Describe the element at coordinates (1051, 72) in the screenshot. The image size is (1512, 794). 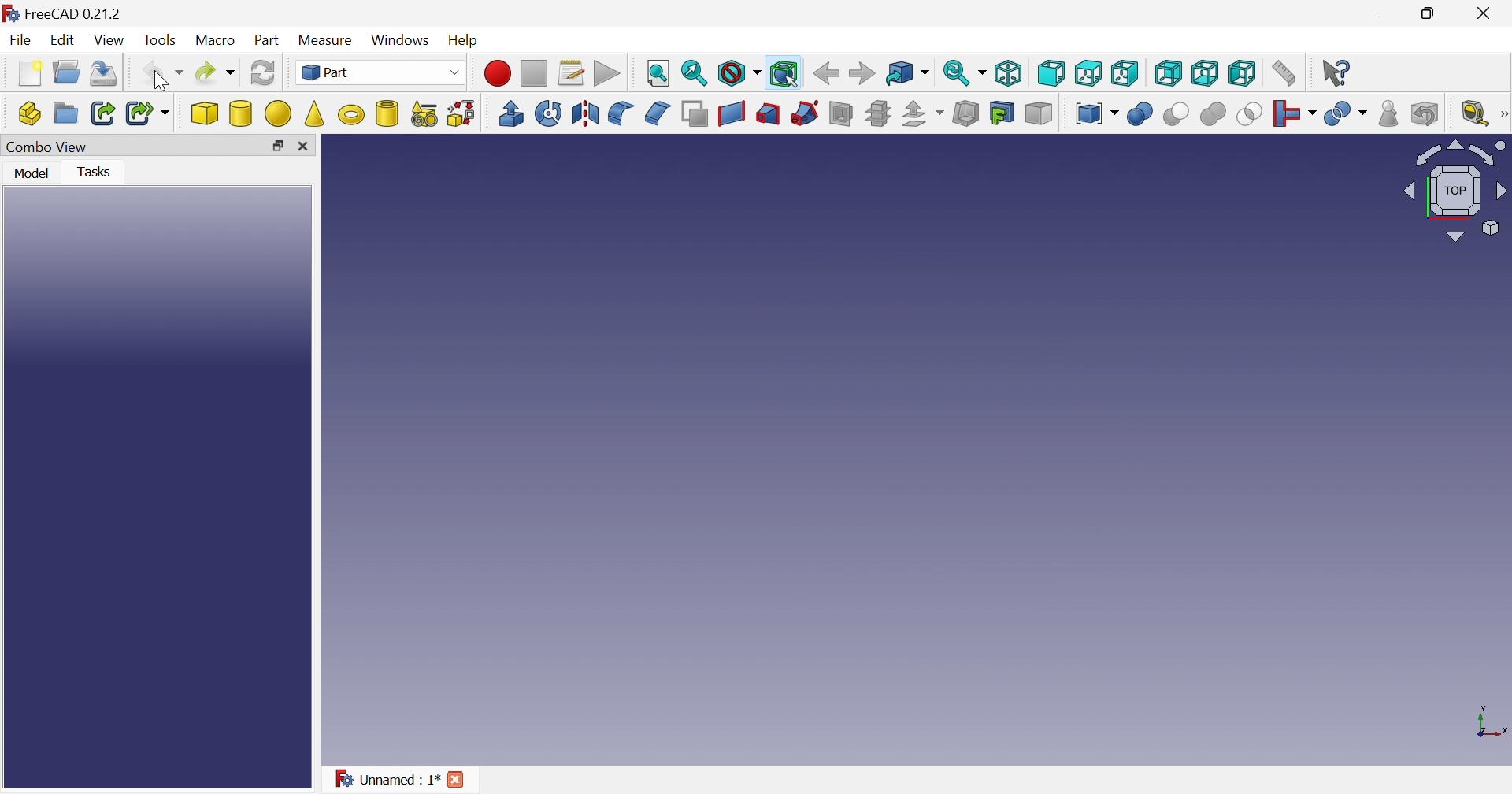
I see `Front` at that location.